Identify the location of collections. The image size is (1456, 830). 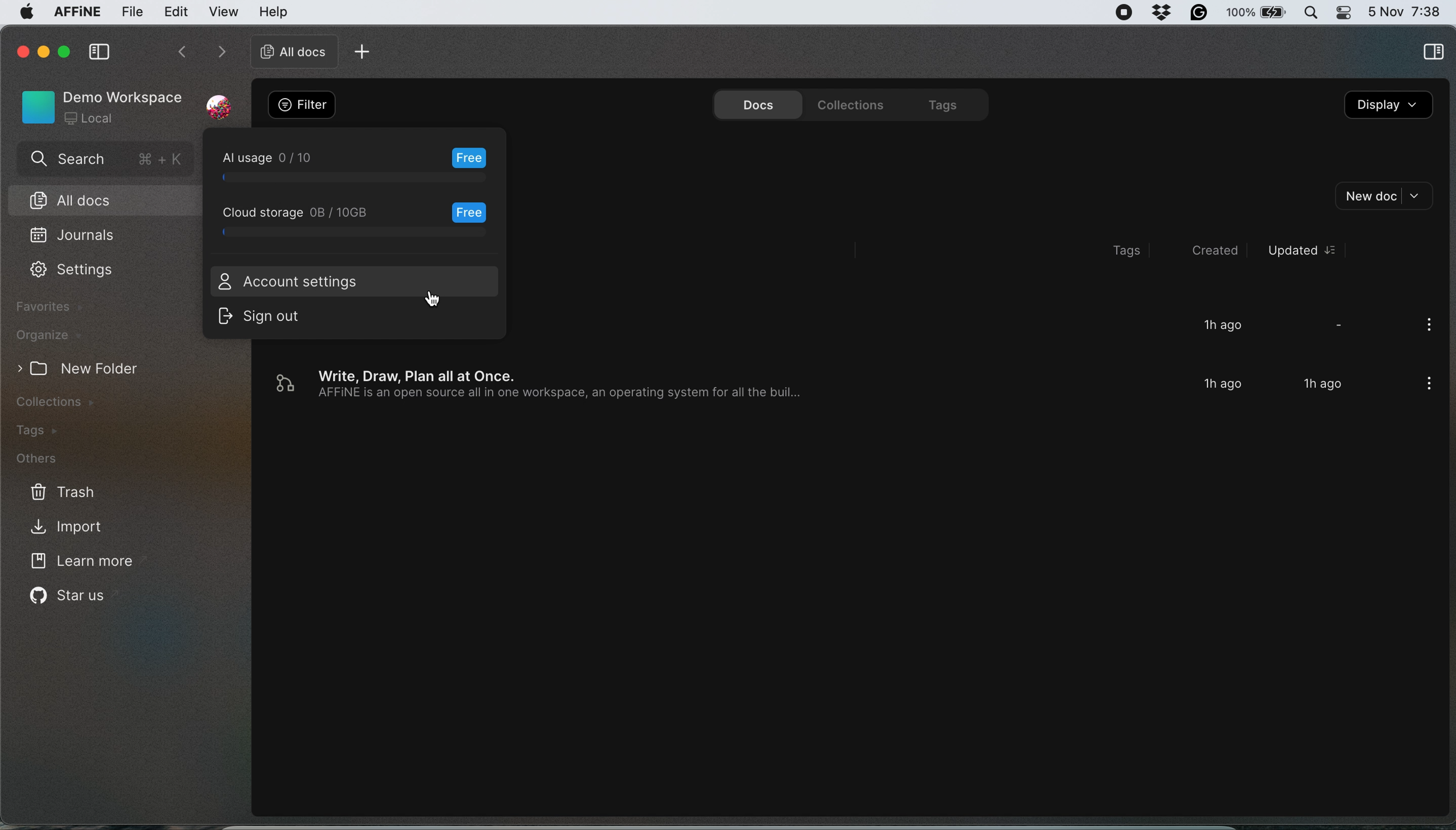
(847, 103).